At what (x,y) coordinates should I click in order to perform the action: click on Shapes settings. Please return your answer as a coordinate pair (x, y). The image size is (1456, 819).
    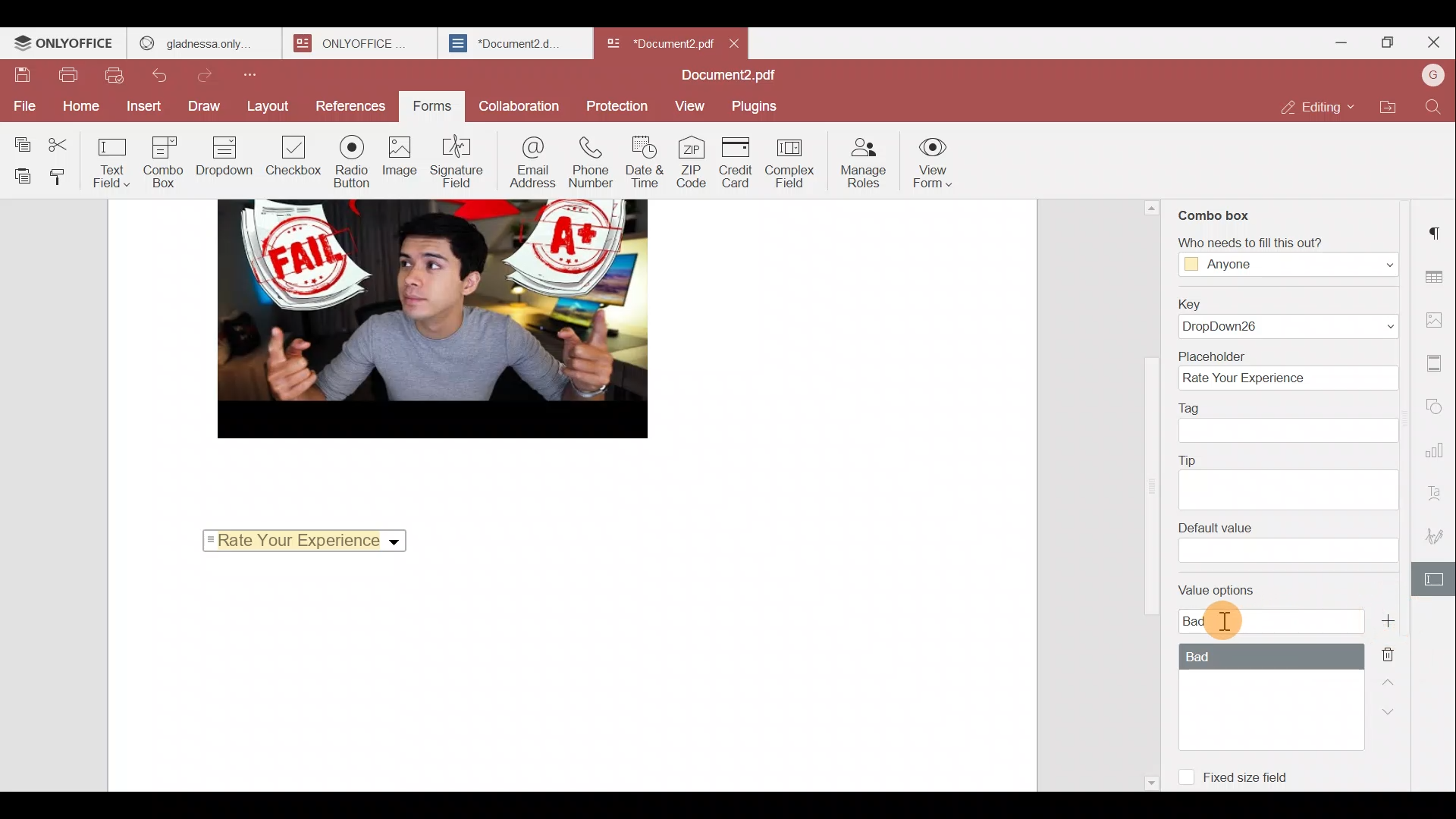
    Looking at the image, I should click on (1439, 403).